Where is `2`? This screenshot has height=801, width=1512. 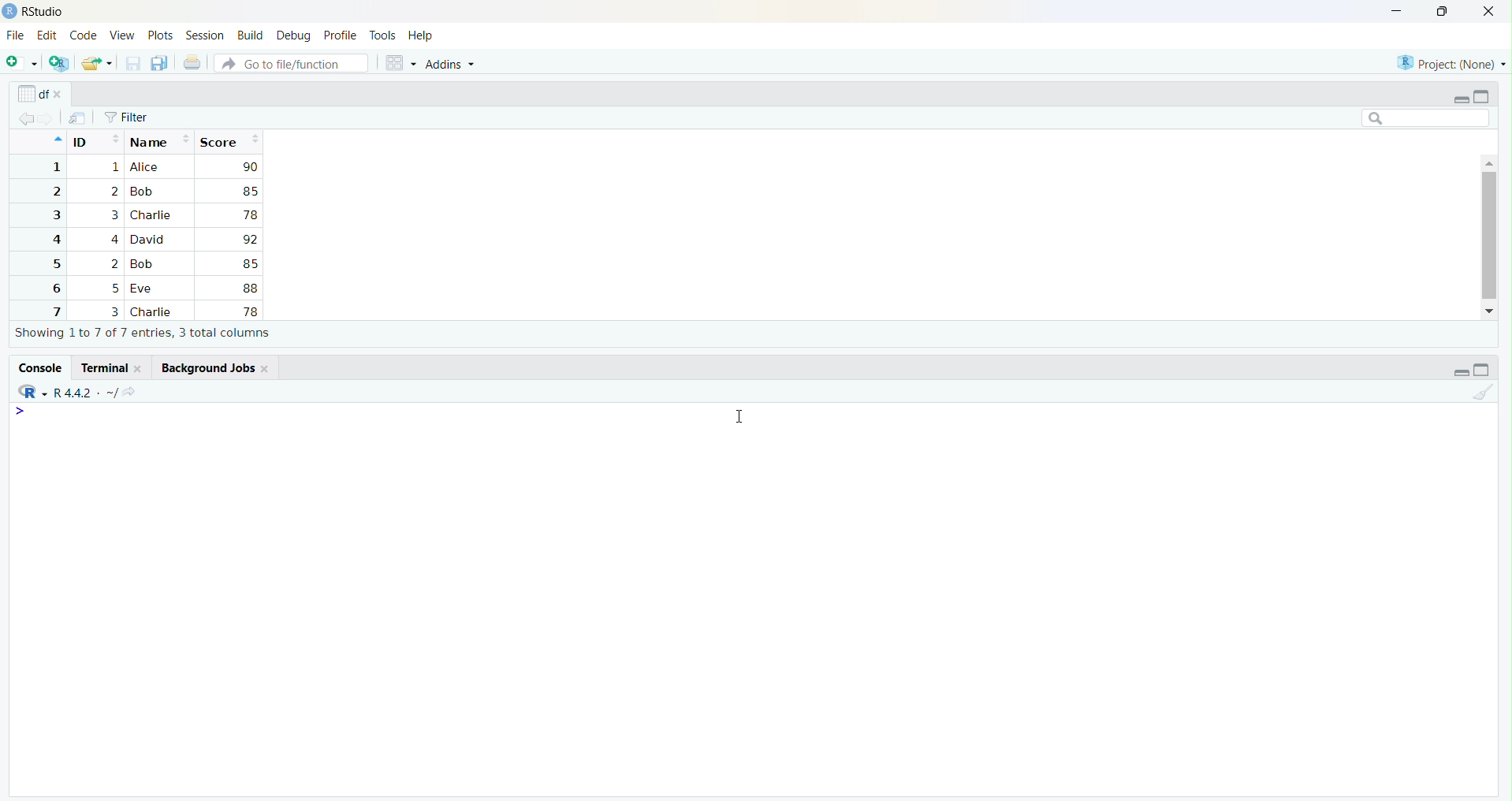 2 is located at coordinates (114, 264).